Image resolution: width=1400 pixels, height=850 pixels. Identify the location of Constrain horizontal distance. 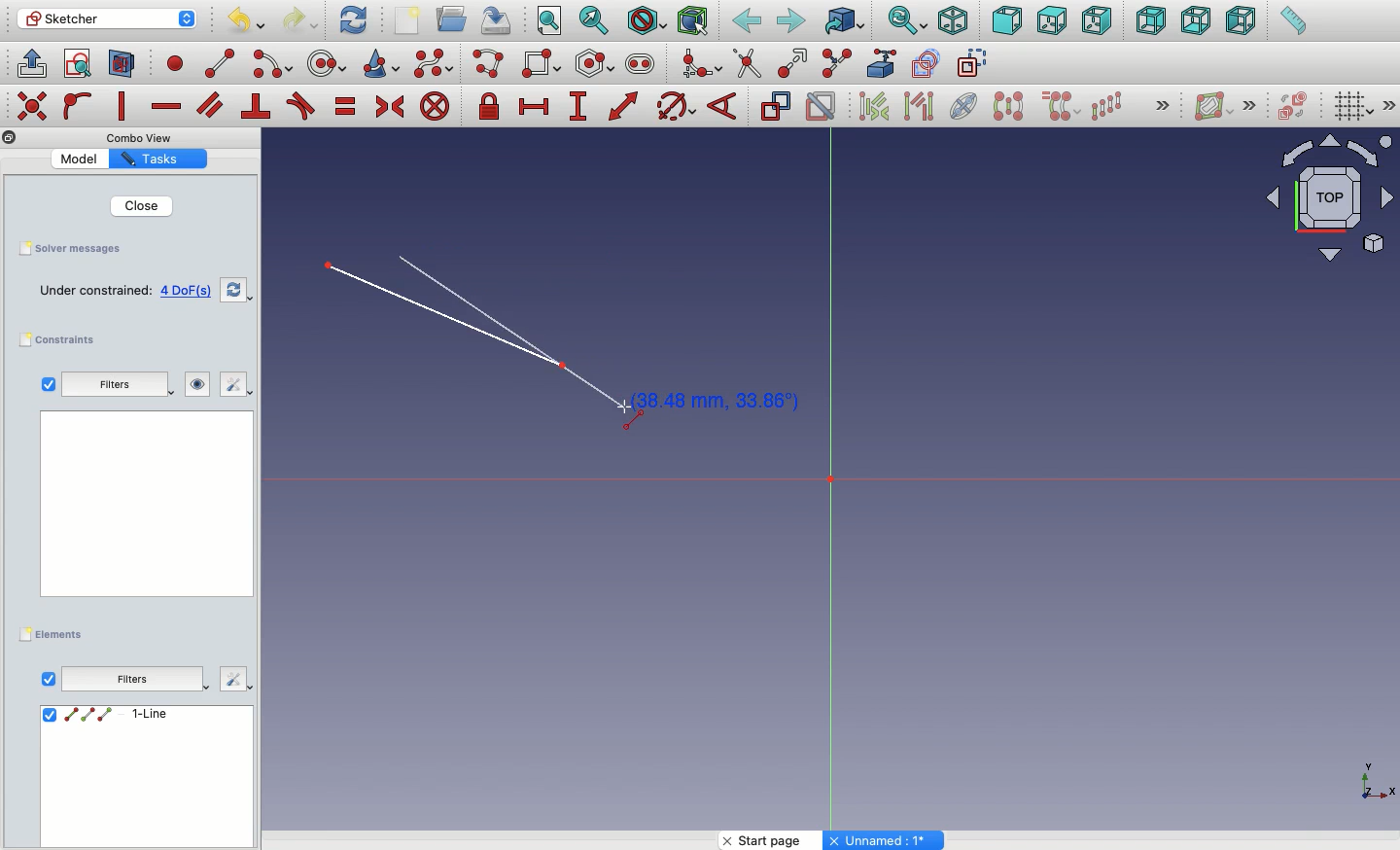
(538, 108).